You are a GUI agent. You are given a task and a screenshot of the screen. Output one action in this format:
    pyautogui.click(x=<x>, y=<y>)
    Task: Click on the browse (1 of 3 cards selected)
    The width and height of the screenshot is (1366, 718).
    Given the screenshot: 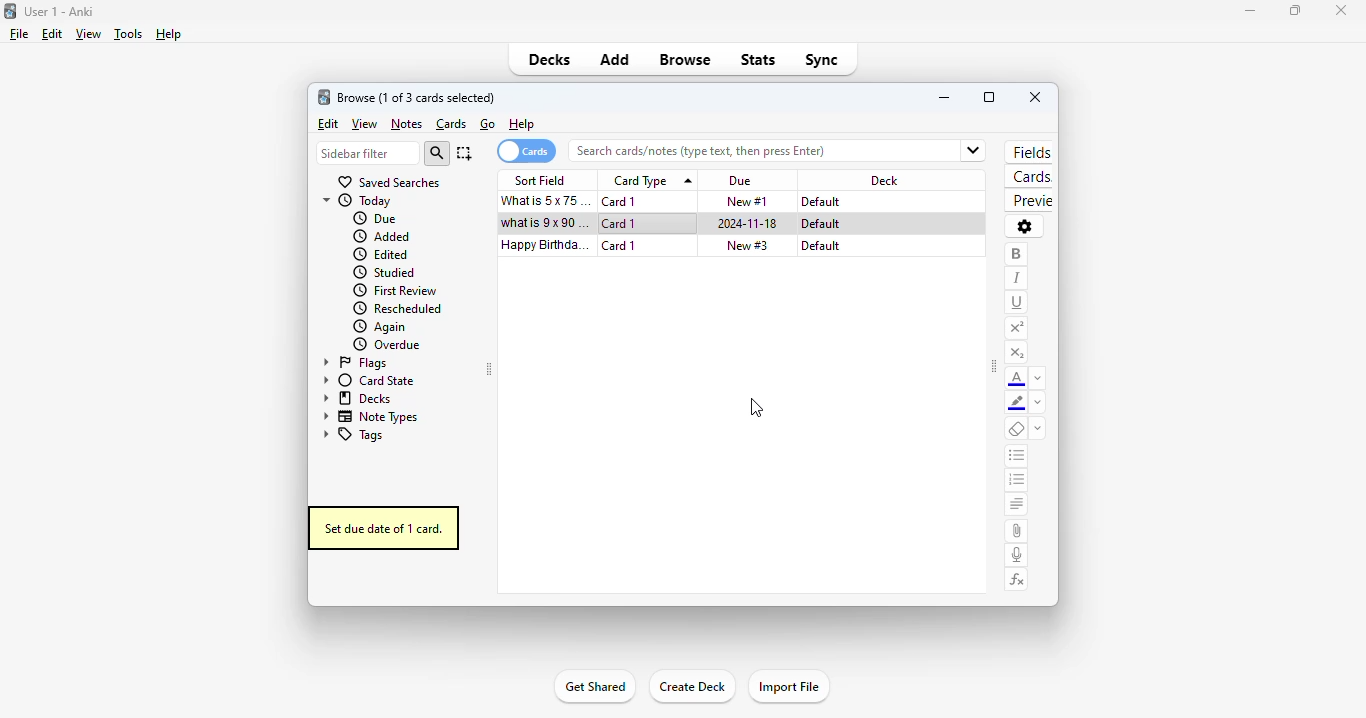 What is the action you would take?
    pyautogui.click(x=416, y=97)
    